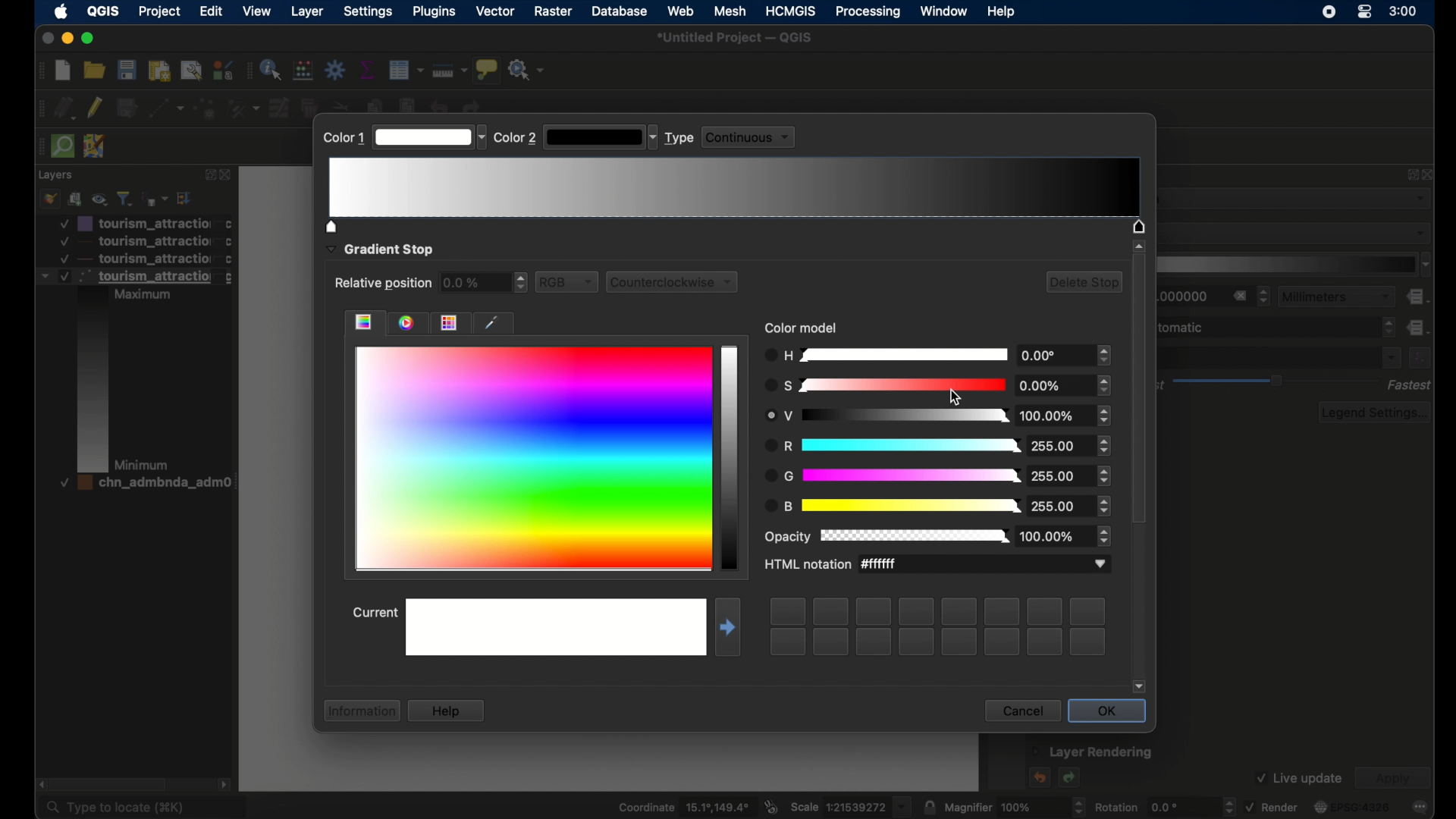 The width and height of the screenshot is (1456, 819). Describe the element at coordinates (938, 566) in the screenshot. I see `HTML notation` at that location.